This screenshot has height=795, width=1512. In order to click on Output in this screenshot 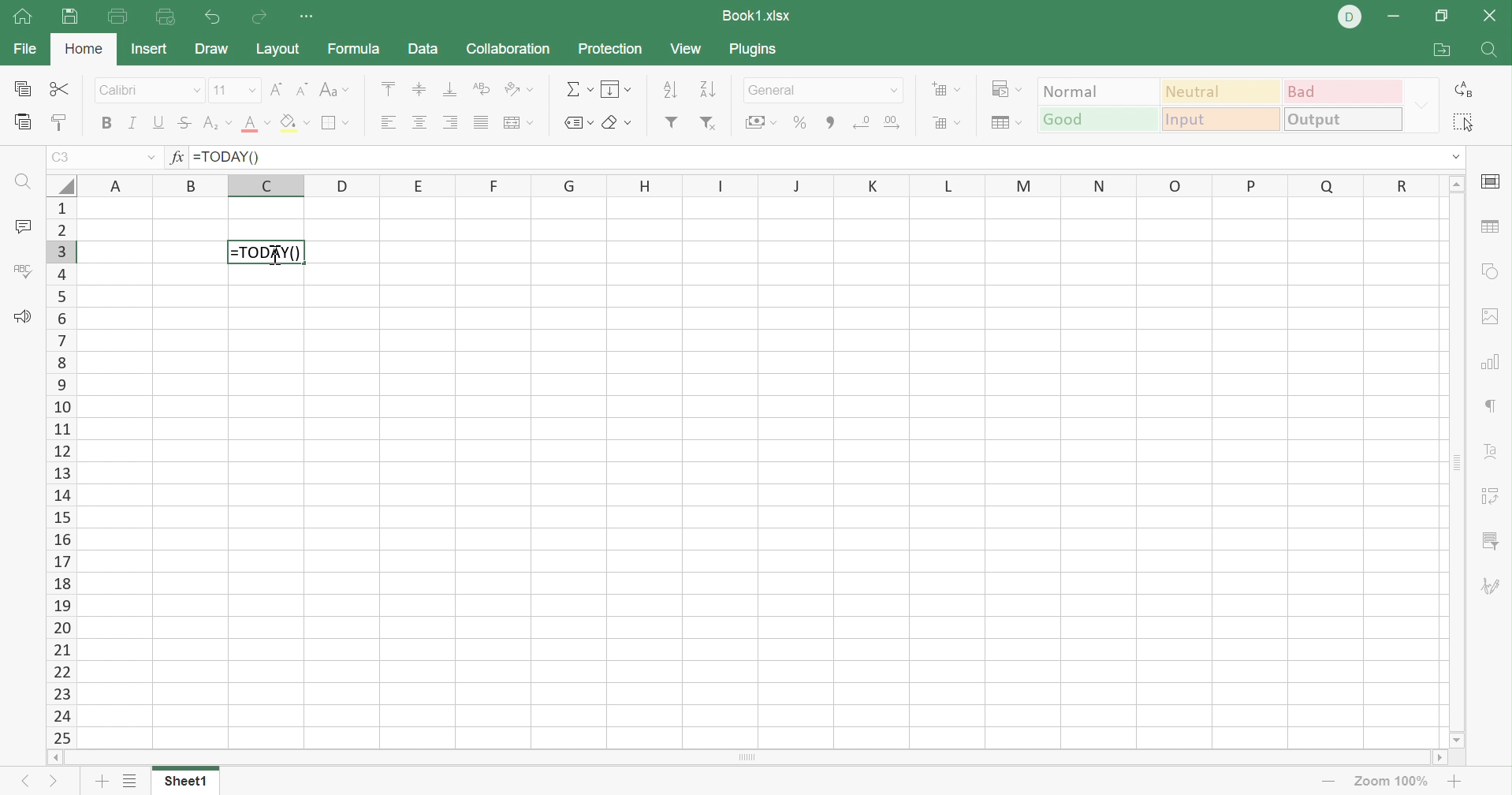, I will do `click(1340, 119)`.